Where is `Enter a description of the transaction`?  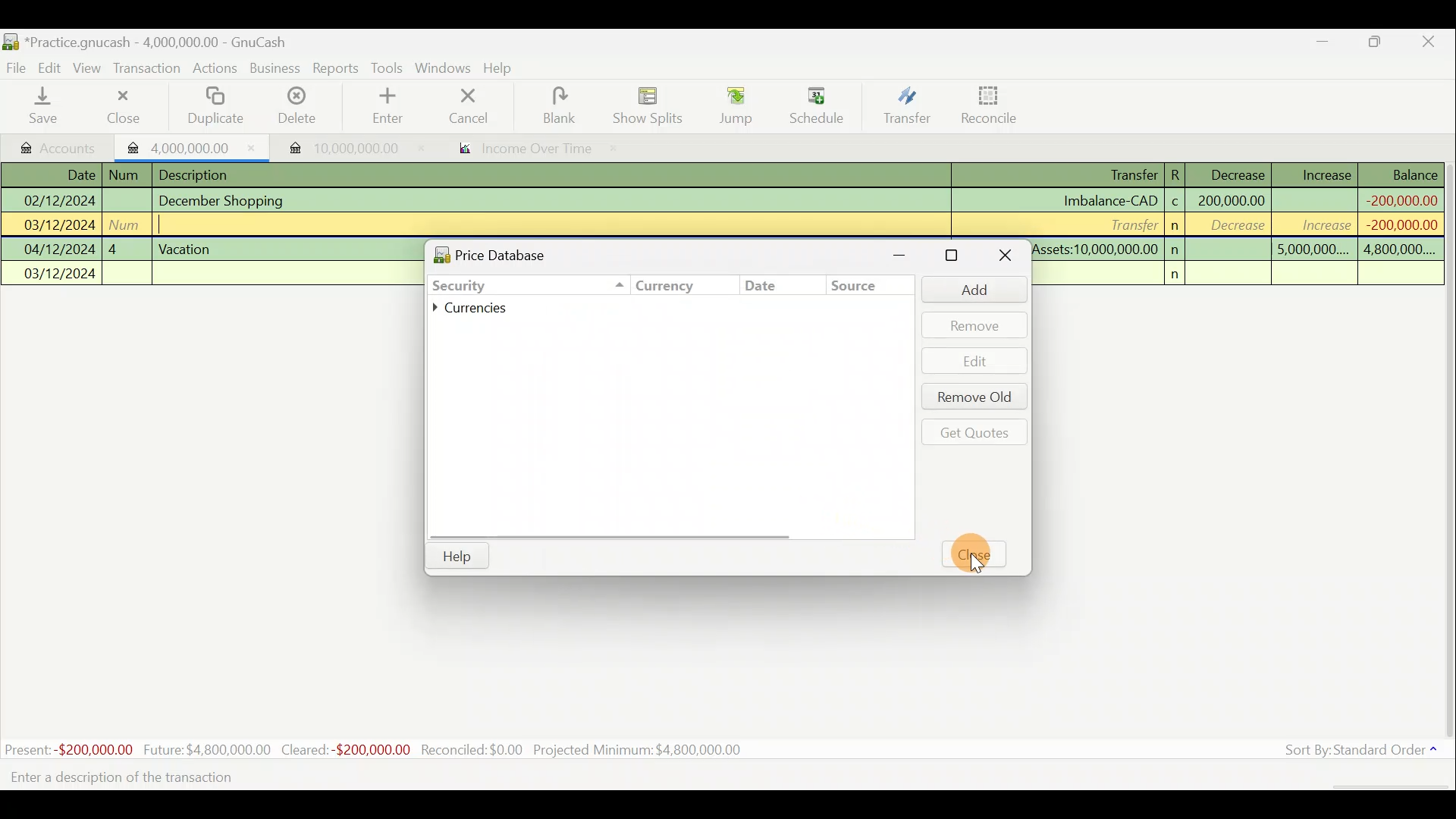 Enter a description of the transaction is located at coordinates (140, 780).